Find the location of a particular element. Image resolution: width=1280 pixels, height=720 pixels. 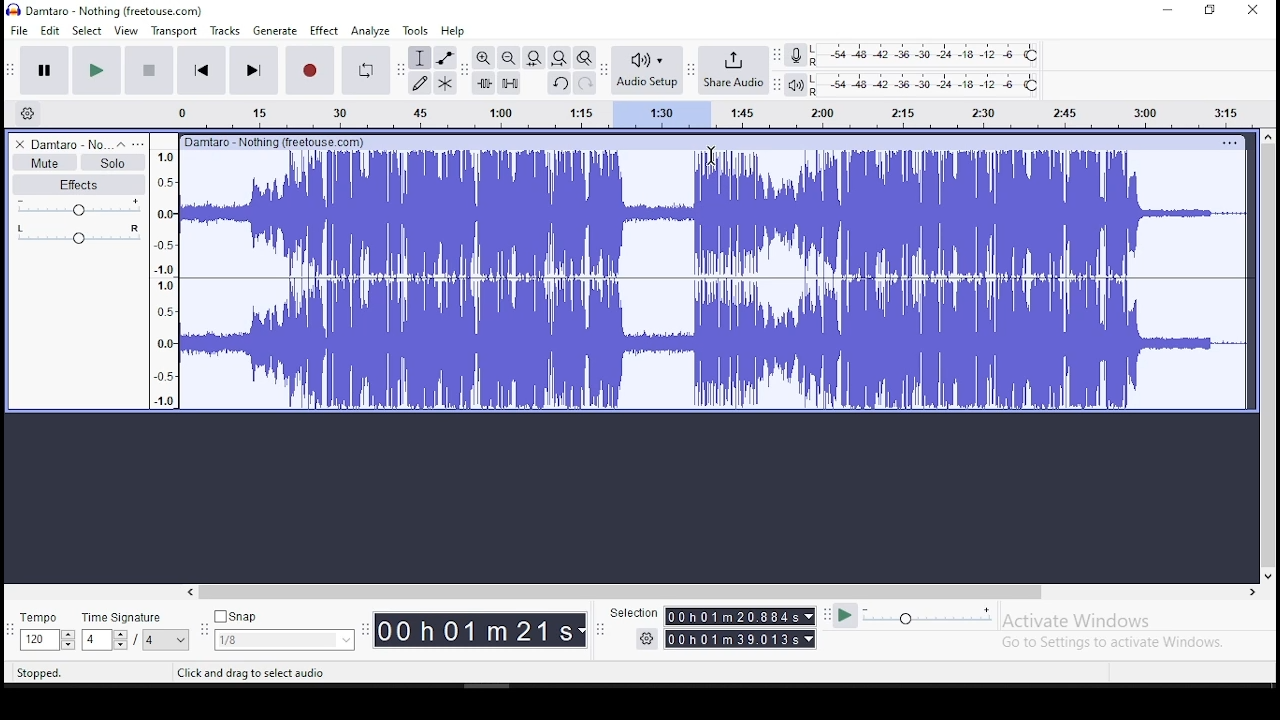

Stopped. is located at coordinates (38, 672).